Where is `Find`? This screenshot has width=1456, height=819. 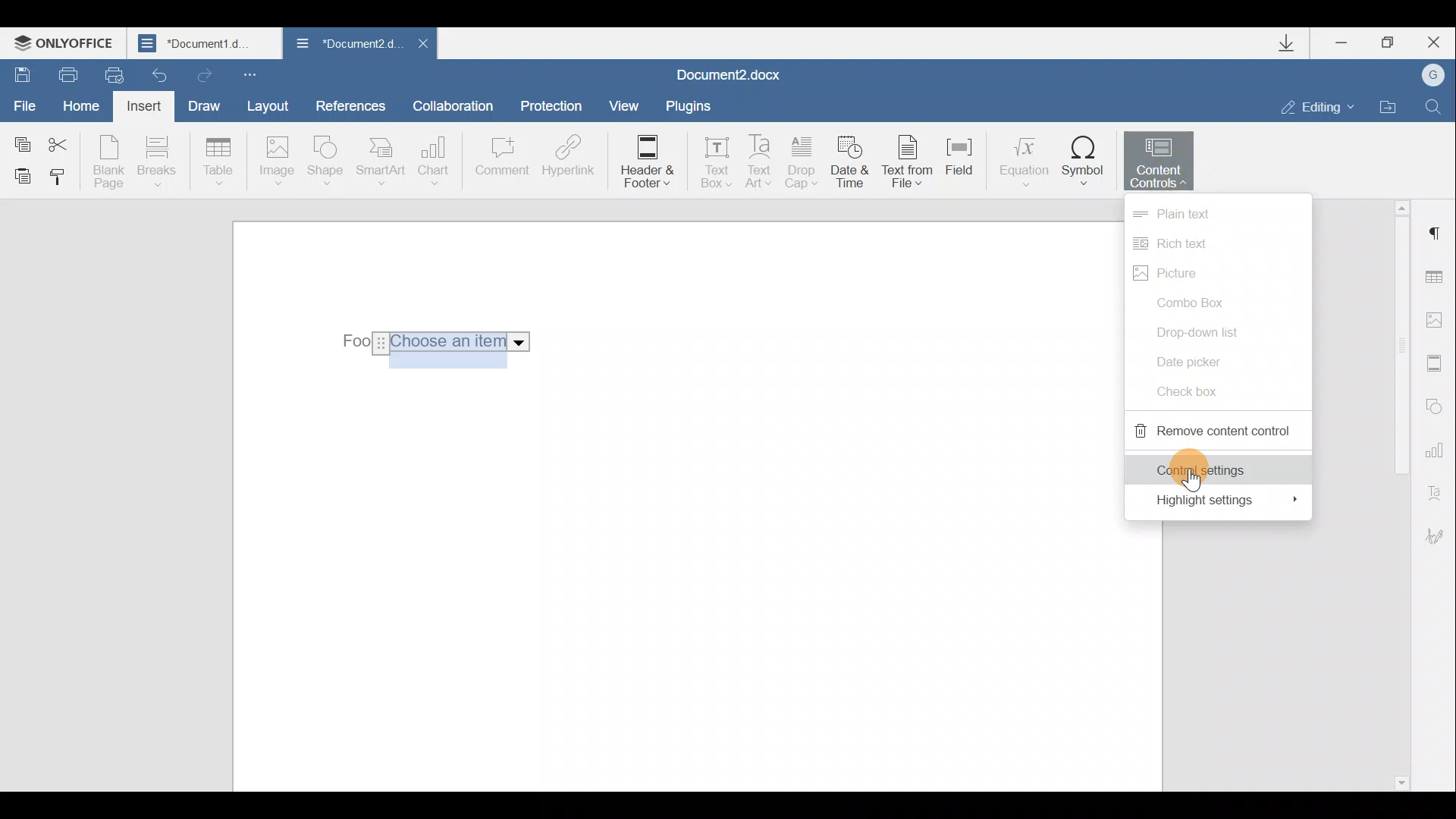 Find is located at coordinates (1434, 106).